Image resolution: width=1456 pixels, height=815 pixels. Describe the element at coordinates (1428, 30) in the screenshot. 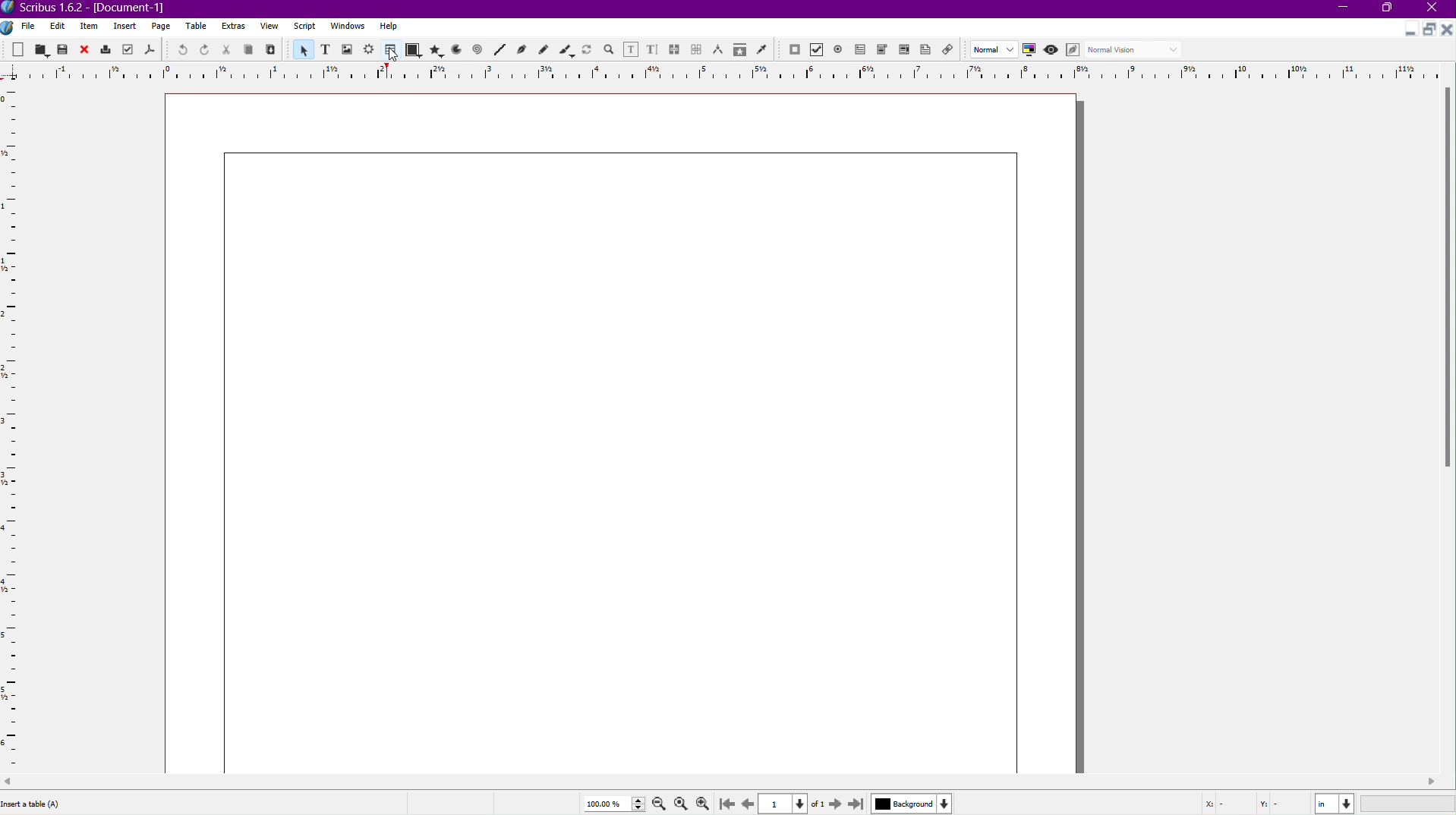

I see `Maximize` at that location.